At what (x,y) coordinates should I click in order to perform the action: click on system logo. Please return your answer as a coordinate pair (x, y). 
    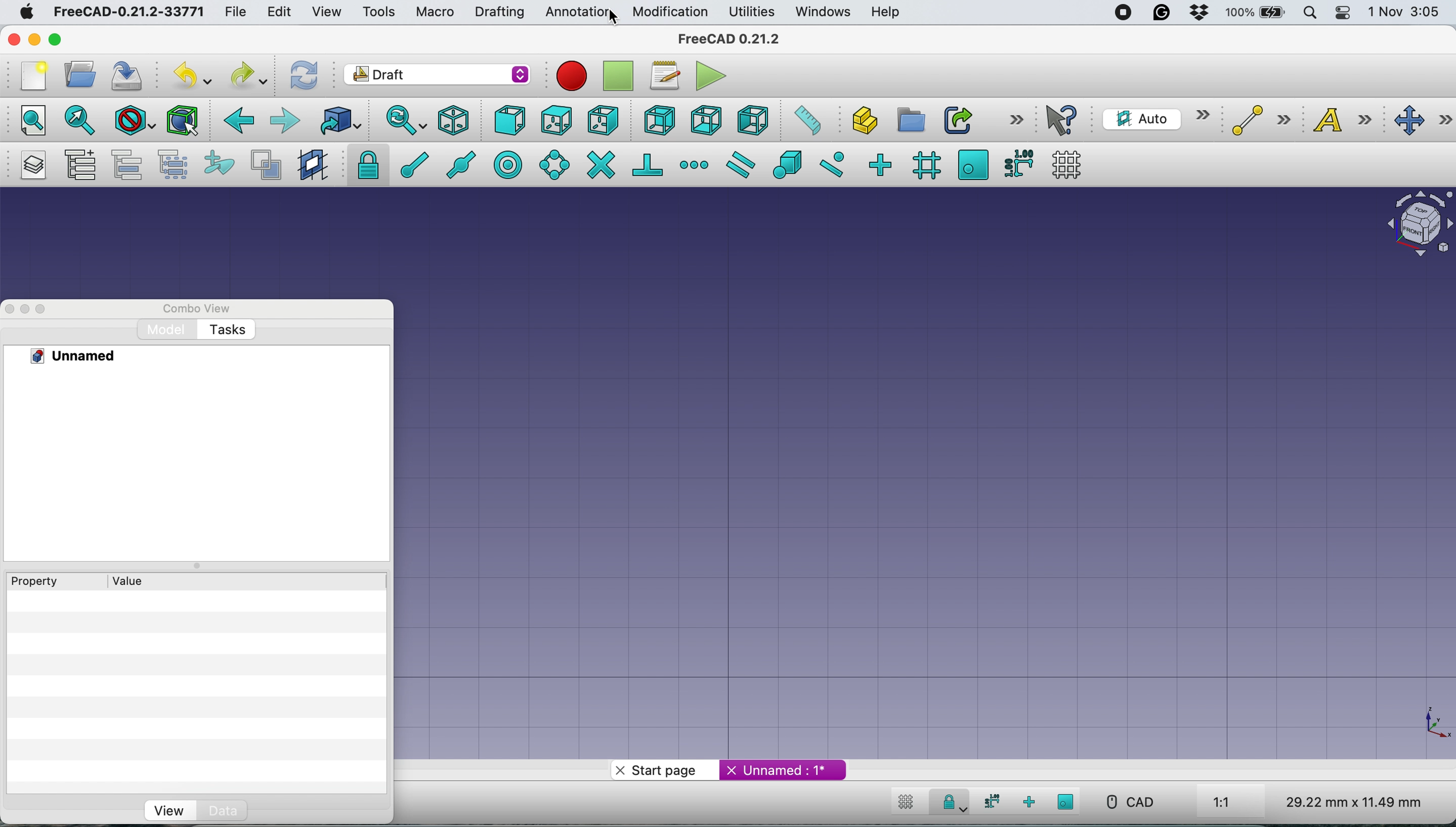
    Looking at the image, I should click on (25, 11).